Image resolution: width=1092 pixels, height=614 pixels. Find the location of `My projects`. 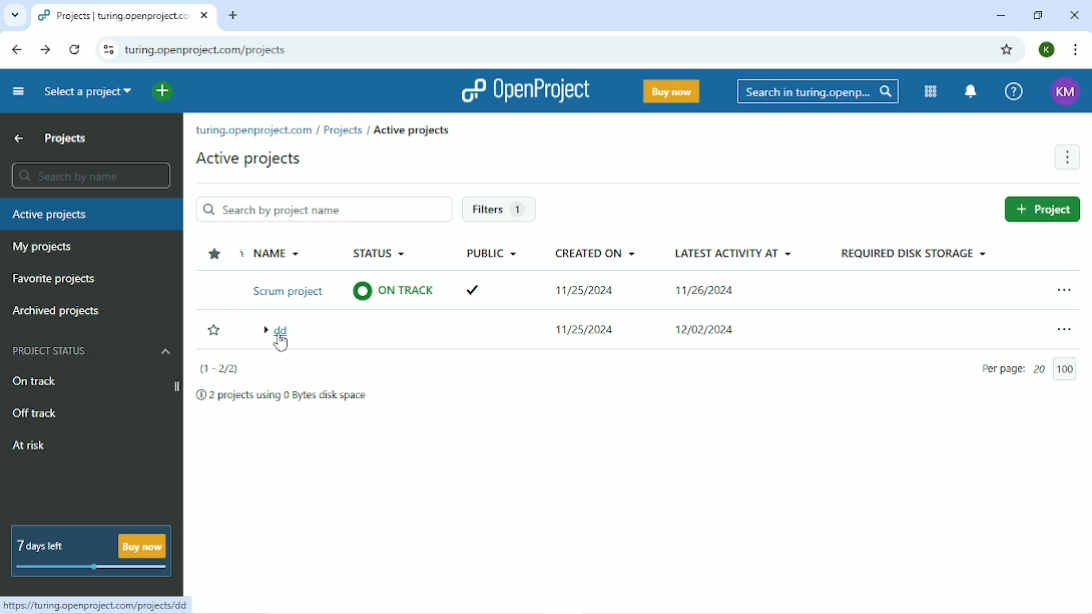

My projects is located at coordinates (42, 249).